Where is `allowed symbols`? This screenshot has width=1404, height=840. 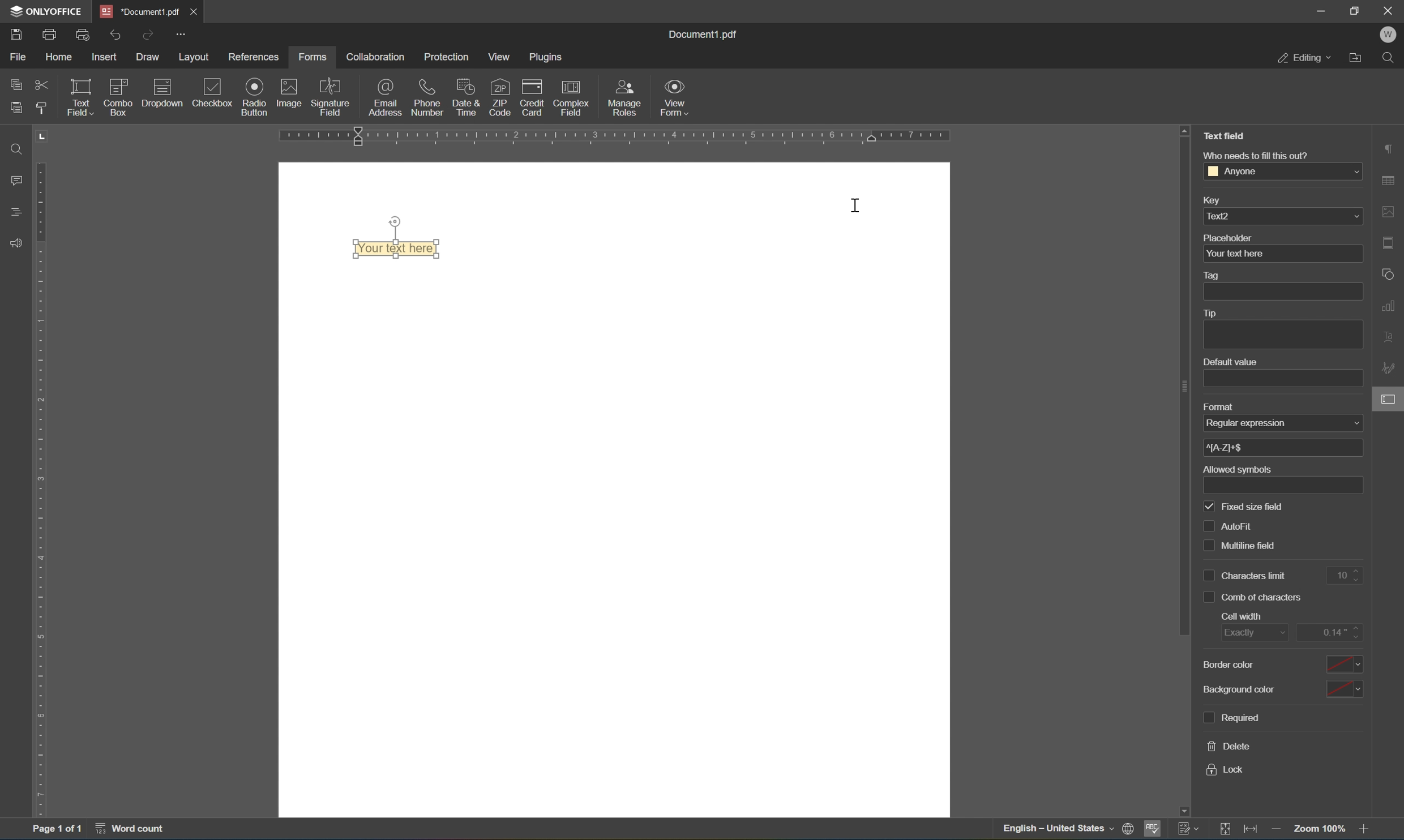 allowed symbols is located at coordinates (1240, 470).